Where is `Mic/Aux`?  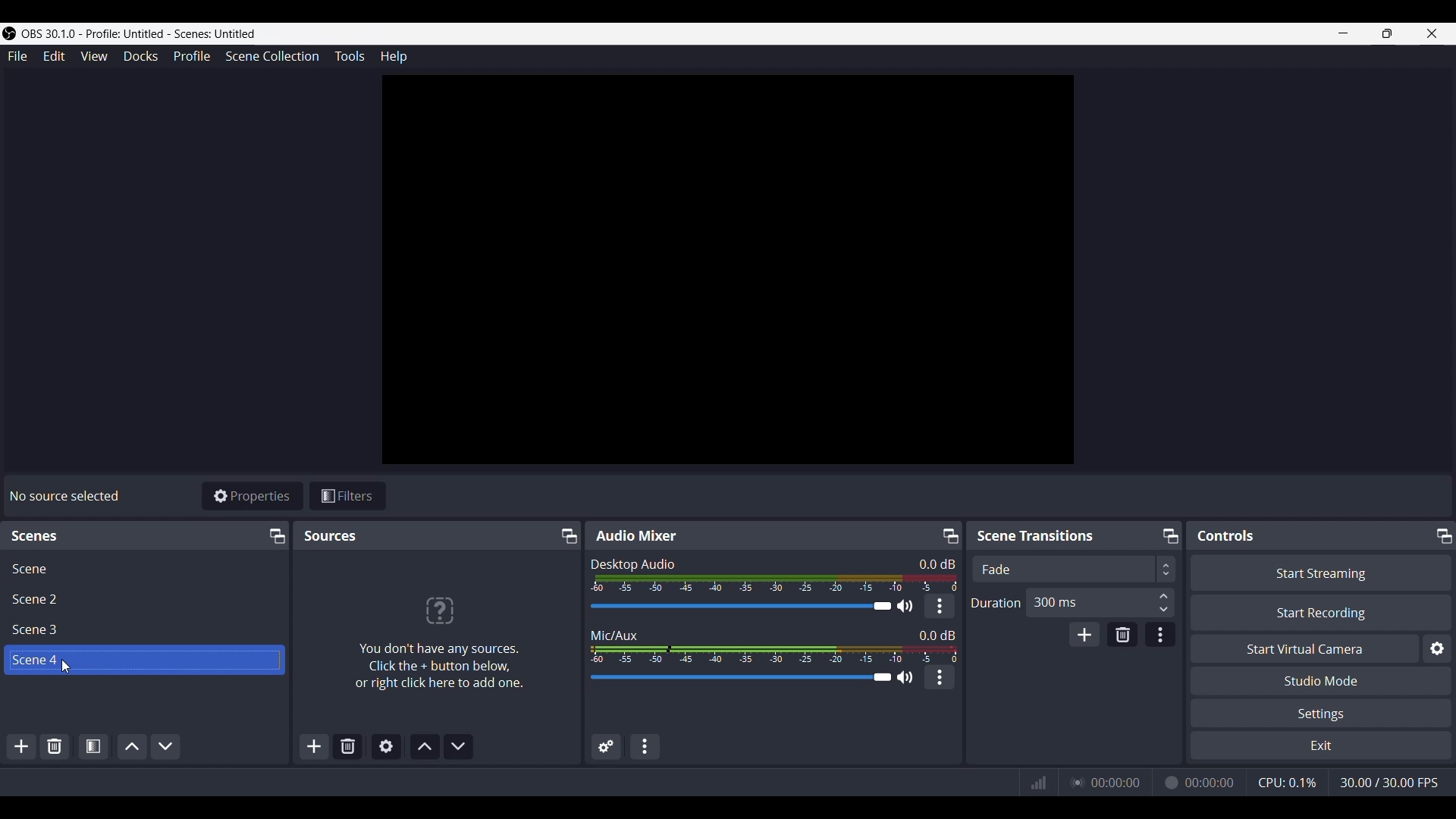 Mic/Aux is located at coordinates (614, 634).